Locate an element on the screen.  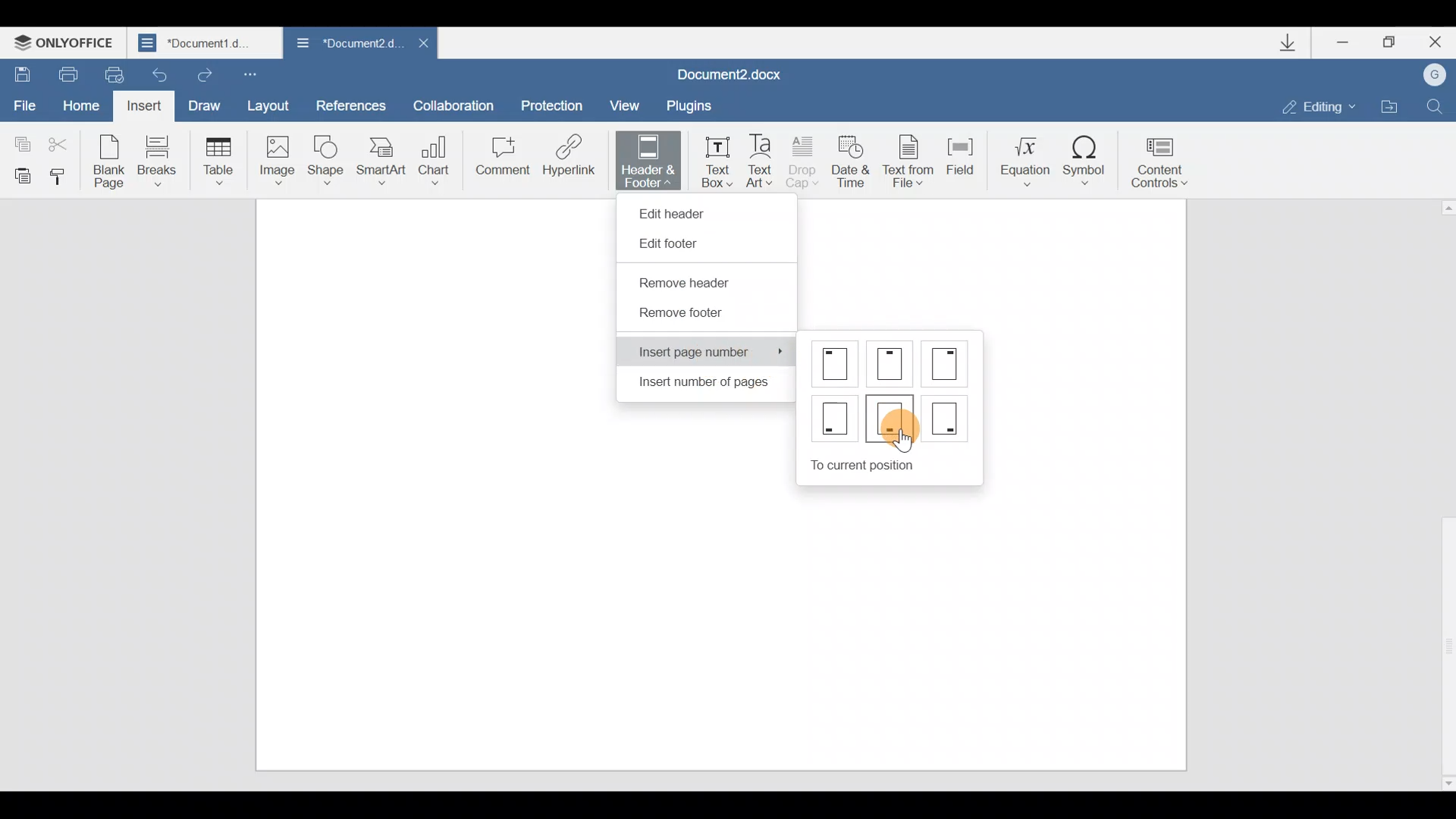
Position 6 is located at coordinates (945, 416).